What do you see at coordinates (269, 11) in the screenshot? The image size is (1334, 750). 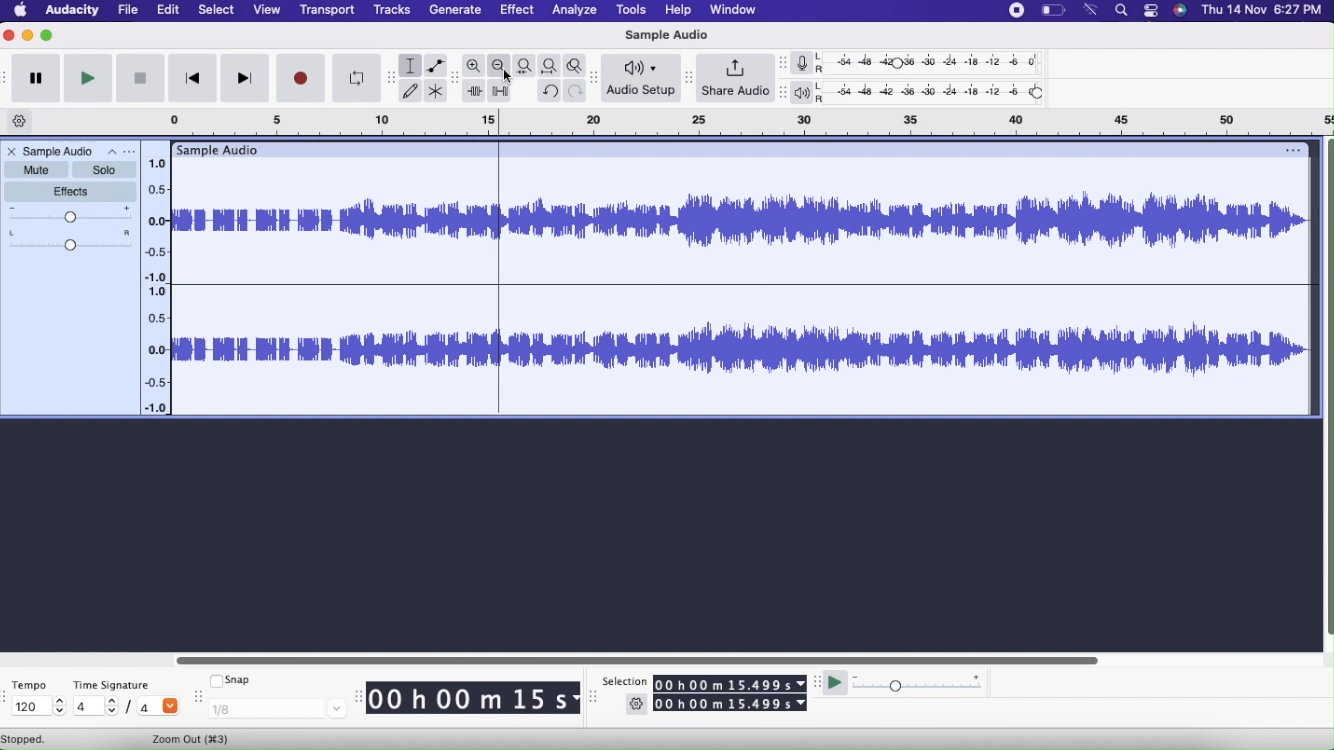 I see `View` at bounding box center [269, 11].